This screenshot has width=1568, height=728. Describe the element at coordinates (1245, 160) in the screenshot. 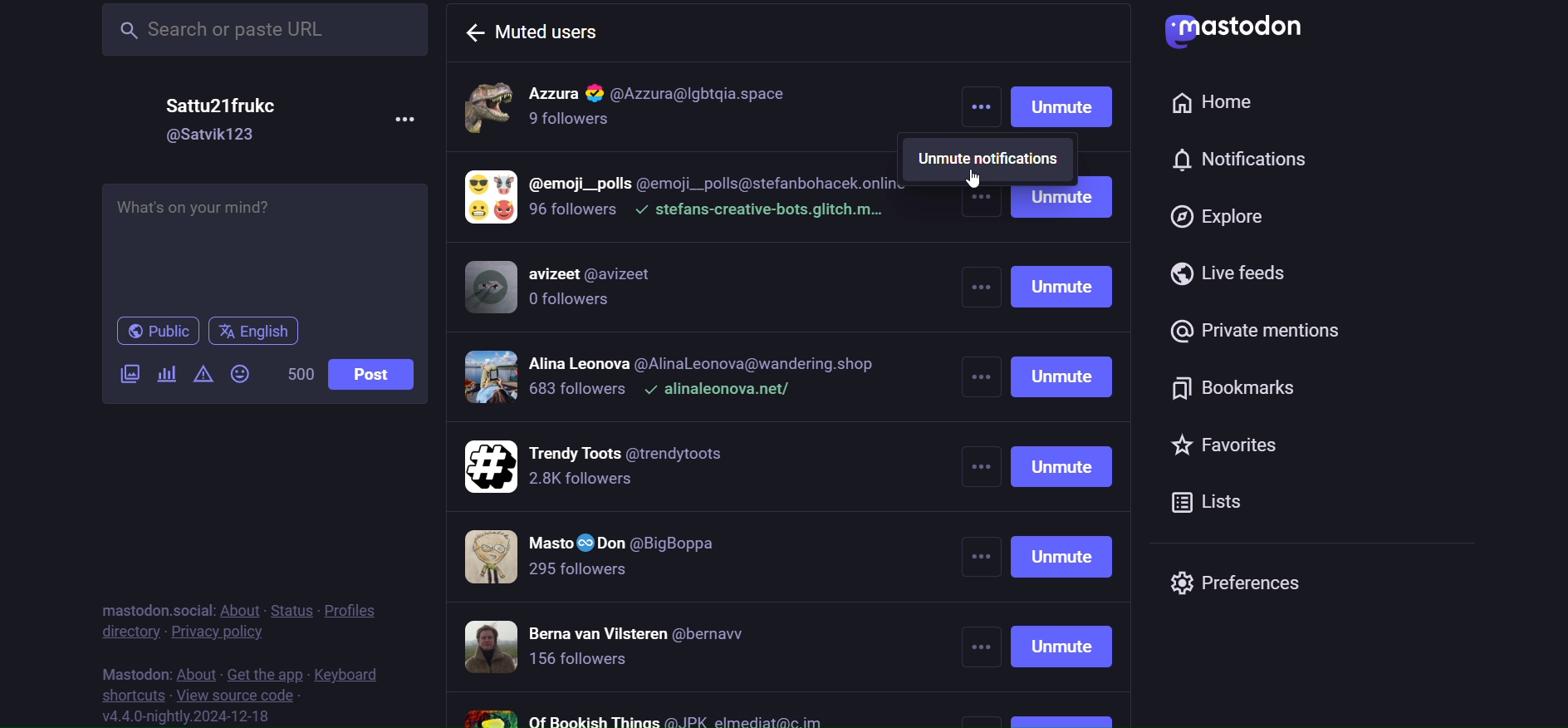

I see `notification` at that location.